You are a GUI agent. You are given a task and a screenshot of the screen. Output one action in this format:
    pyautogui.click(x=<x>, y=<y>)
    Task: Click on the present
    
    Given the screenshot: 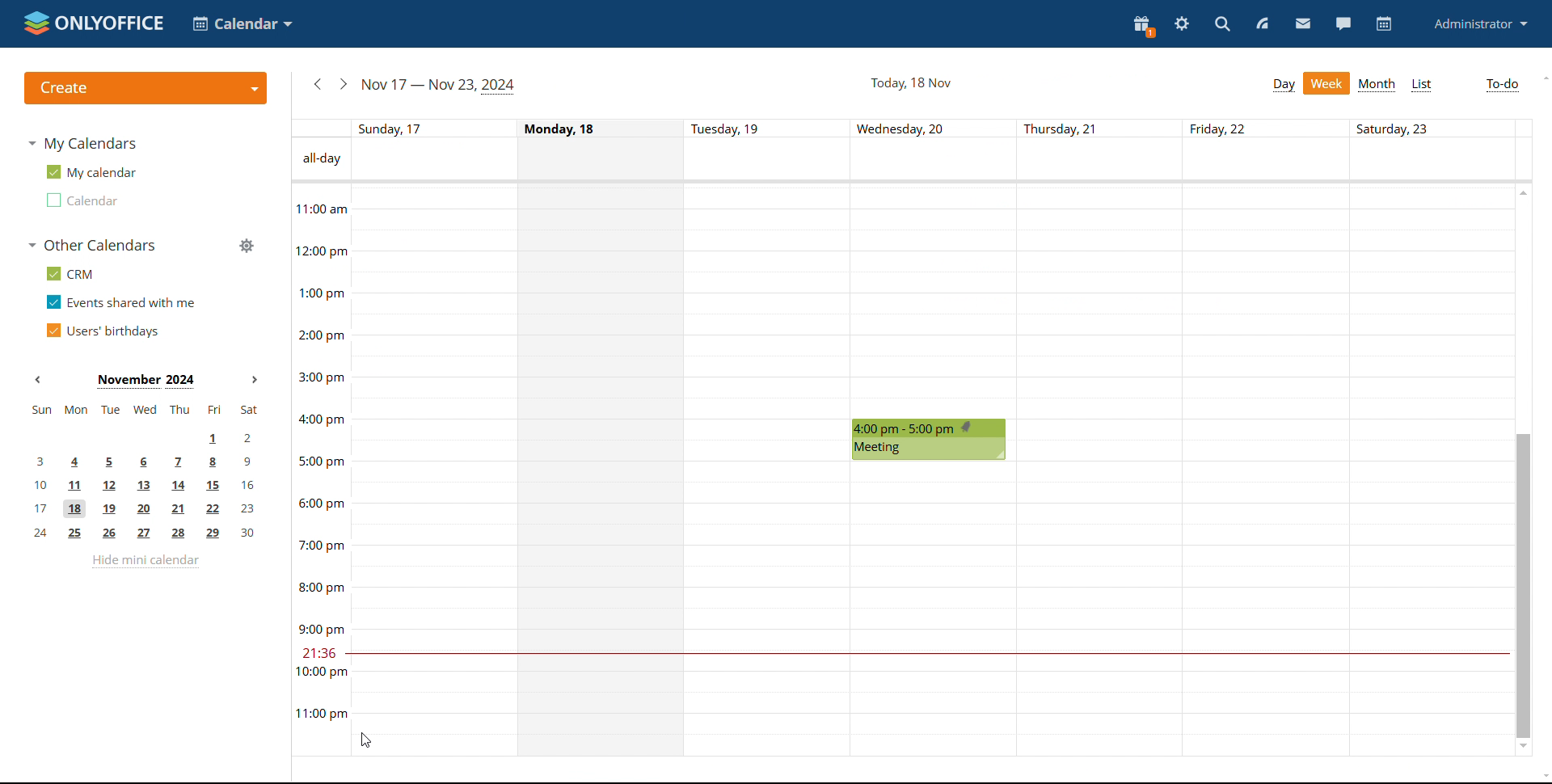 What is the action you would take?
    pyautogui.click(x=1144, y=25)
    